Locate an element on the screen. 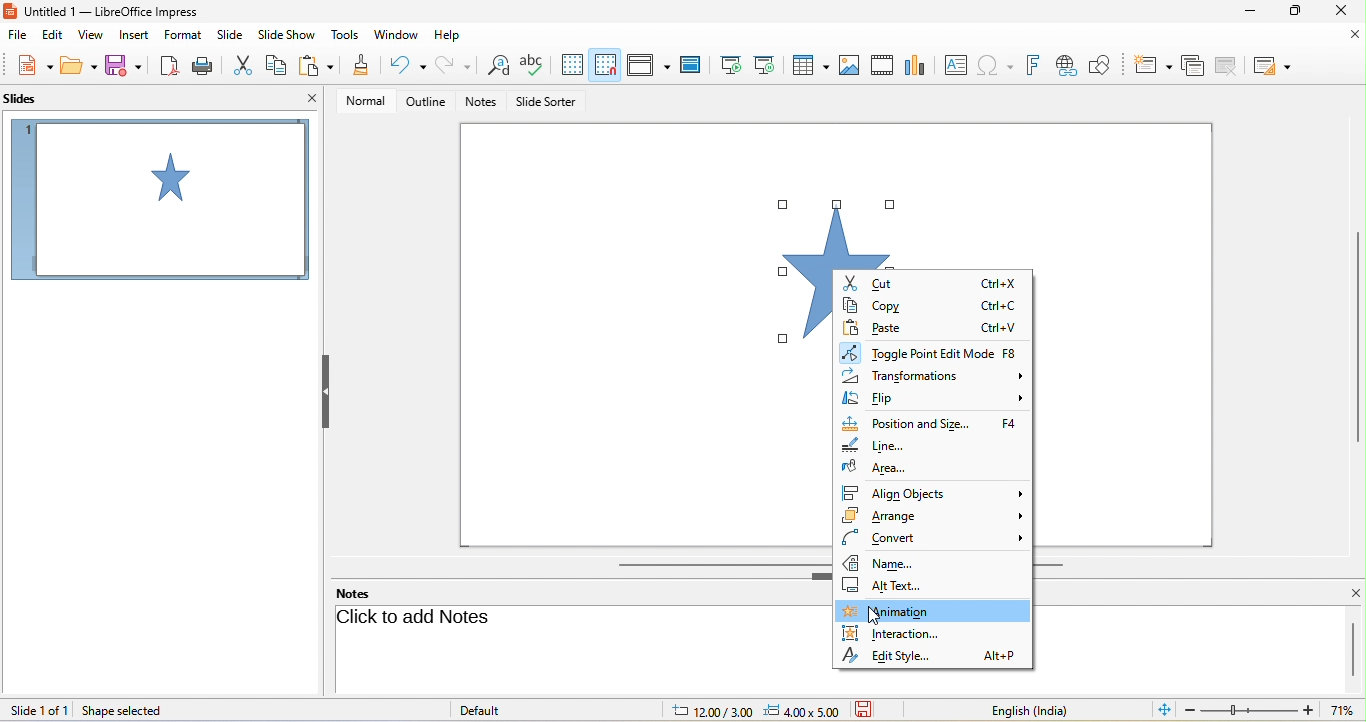  close is located at coordinates (1345, 593).